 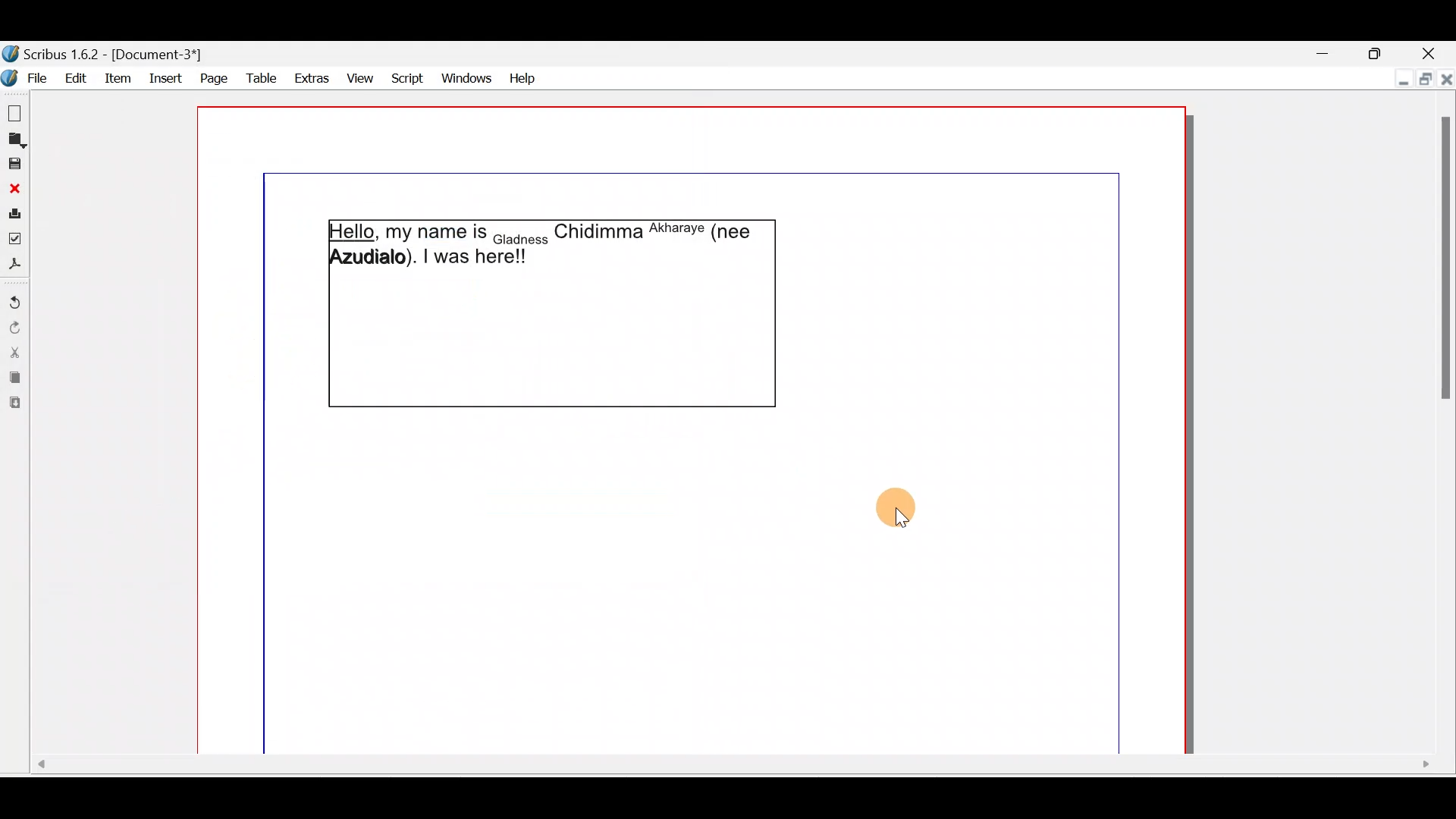 What do you see at coordinates (15, 111) in the screenshot?
I see `New` at bounding box center [15, 111].